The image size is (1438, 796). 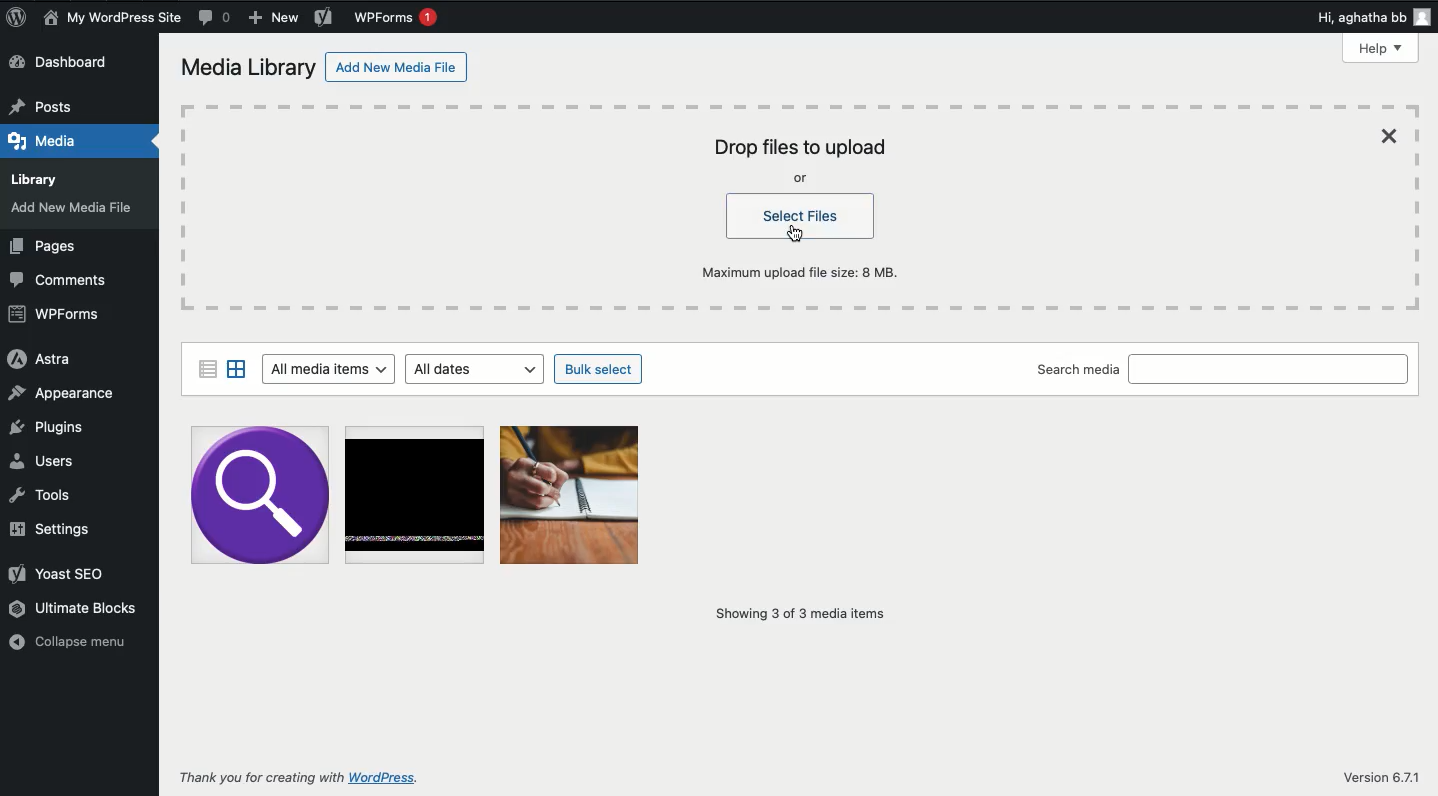 I want to click on New, so click(x=275, y=20).